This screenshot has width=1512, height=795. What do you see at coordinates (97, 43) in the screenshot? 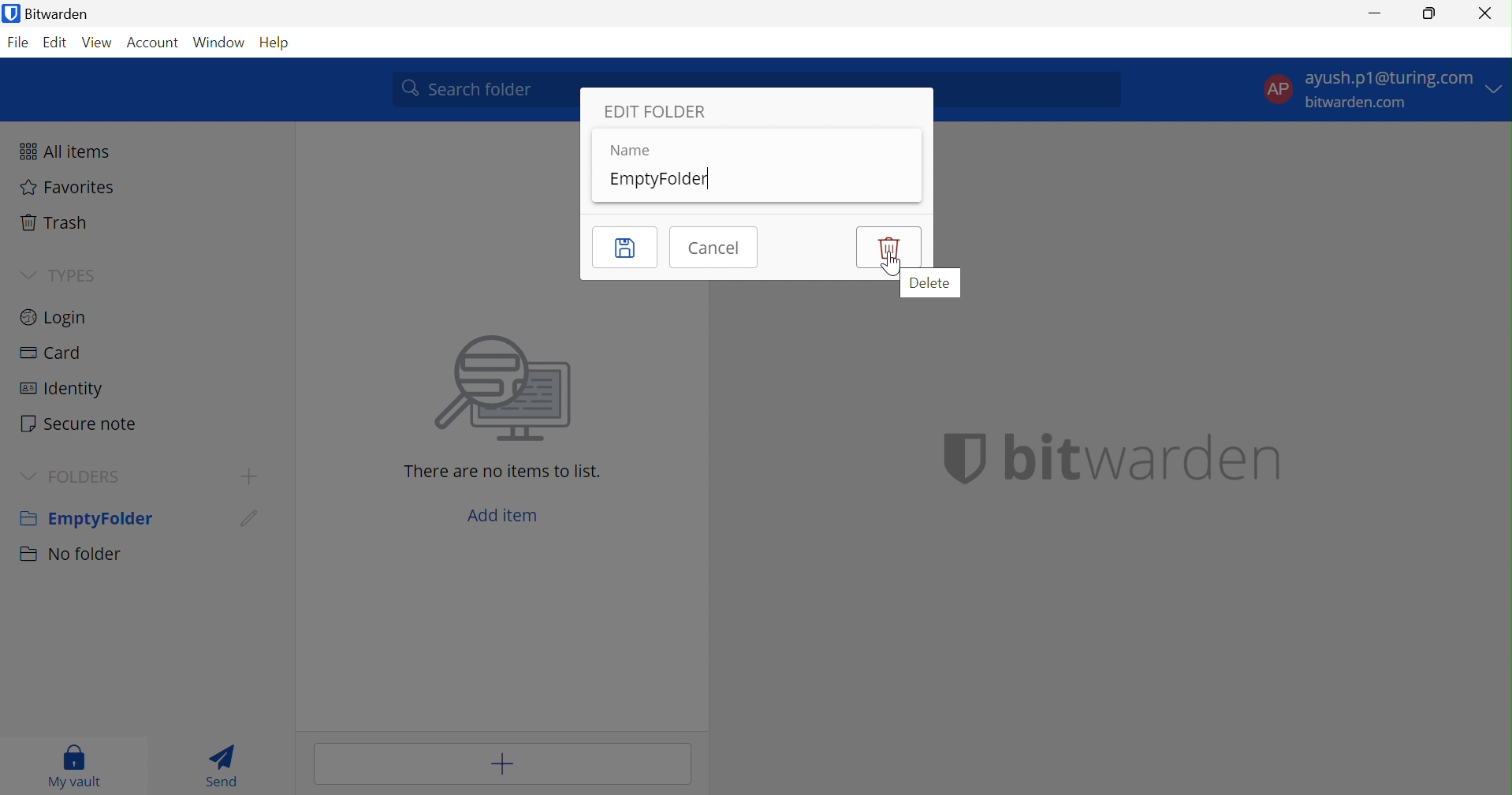
I see `View` at bounding box center [97, 43].